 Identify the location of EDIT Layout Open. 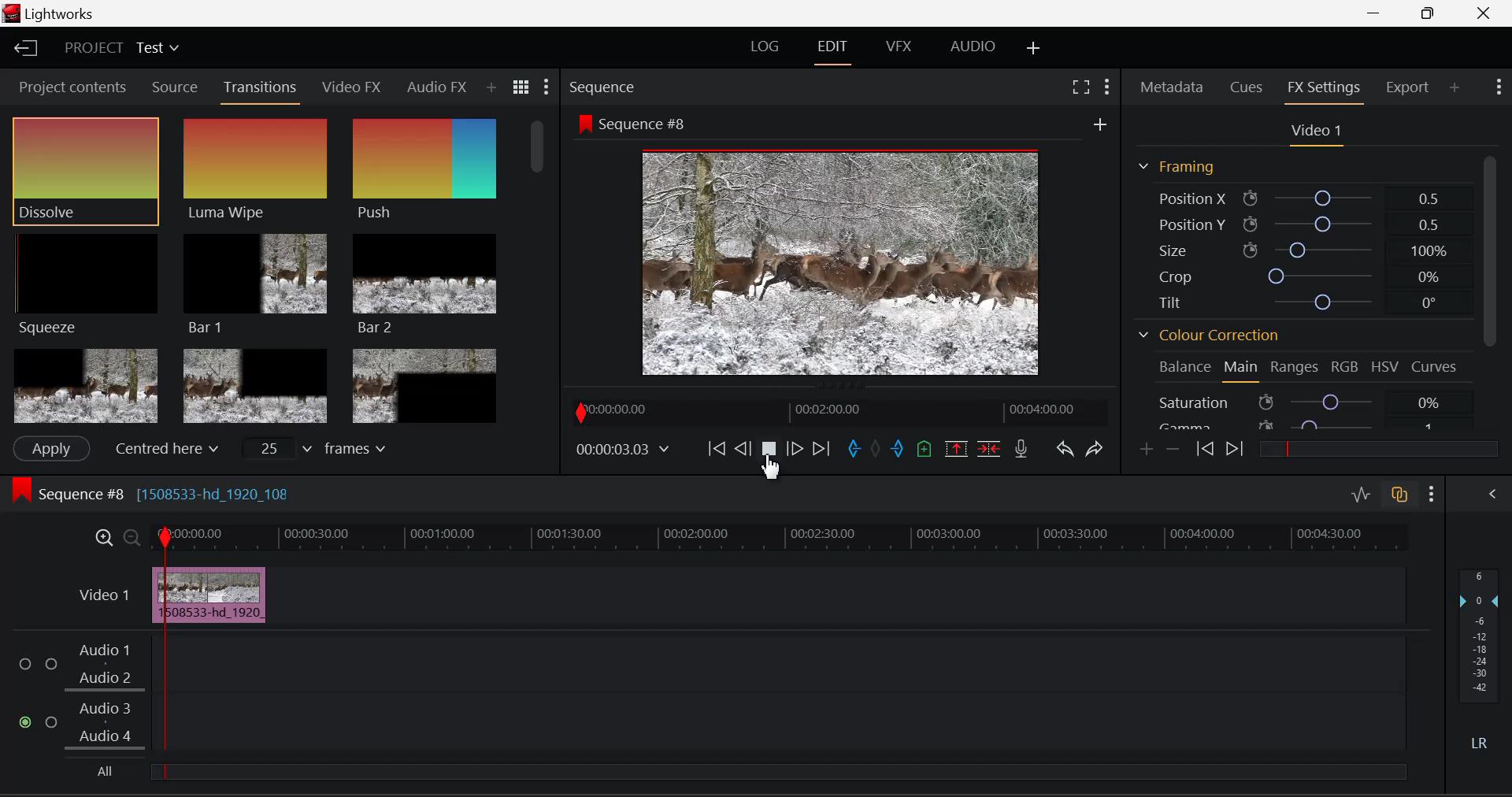
(832, 50).